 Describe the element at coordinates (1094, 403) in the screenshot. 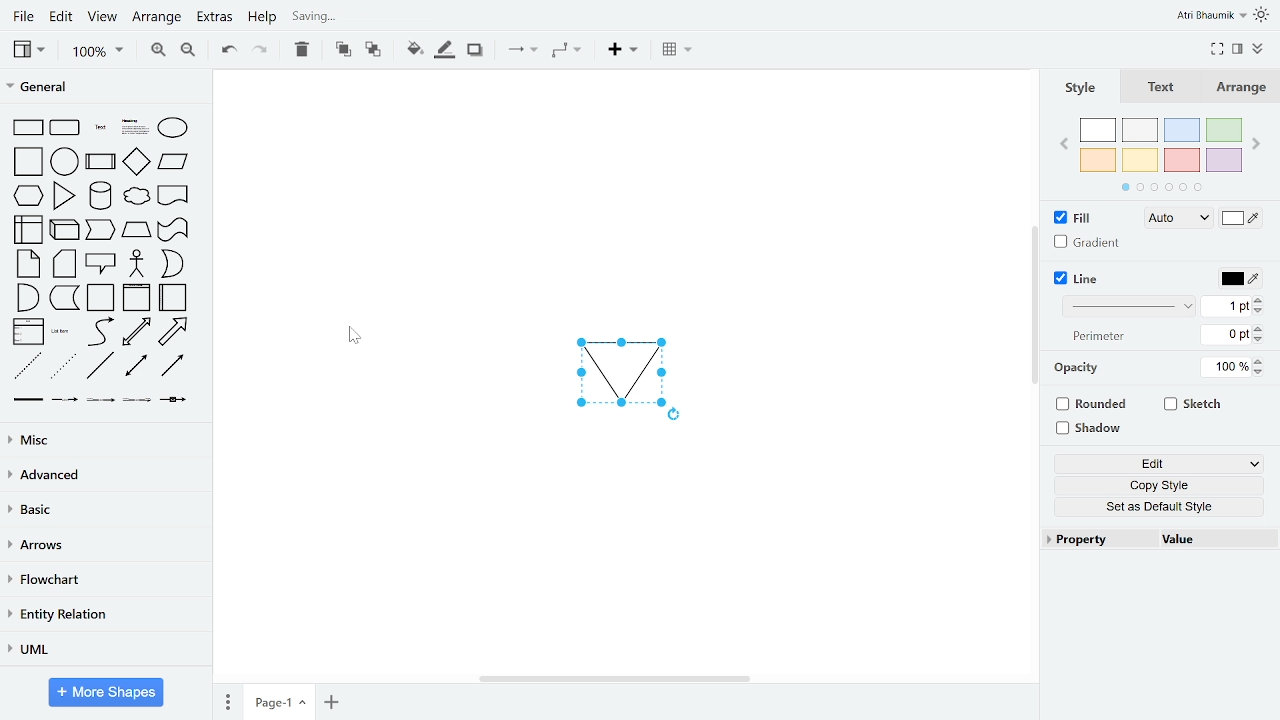

I see `rounded` at that location.